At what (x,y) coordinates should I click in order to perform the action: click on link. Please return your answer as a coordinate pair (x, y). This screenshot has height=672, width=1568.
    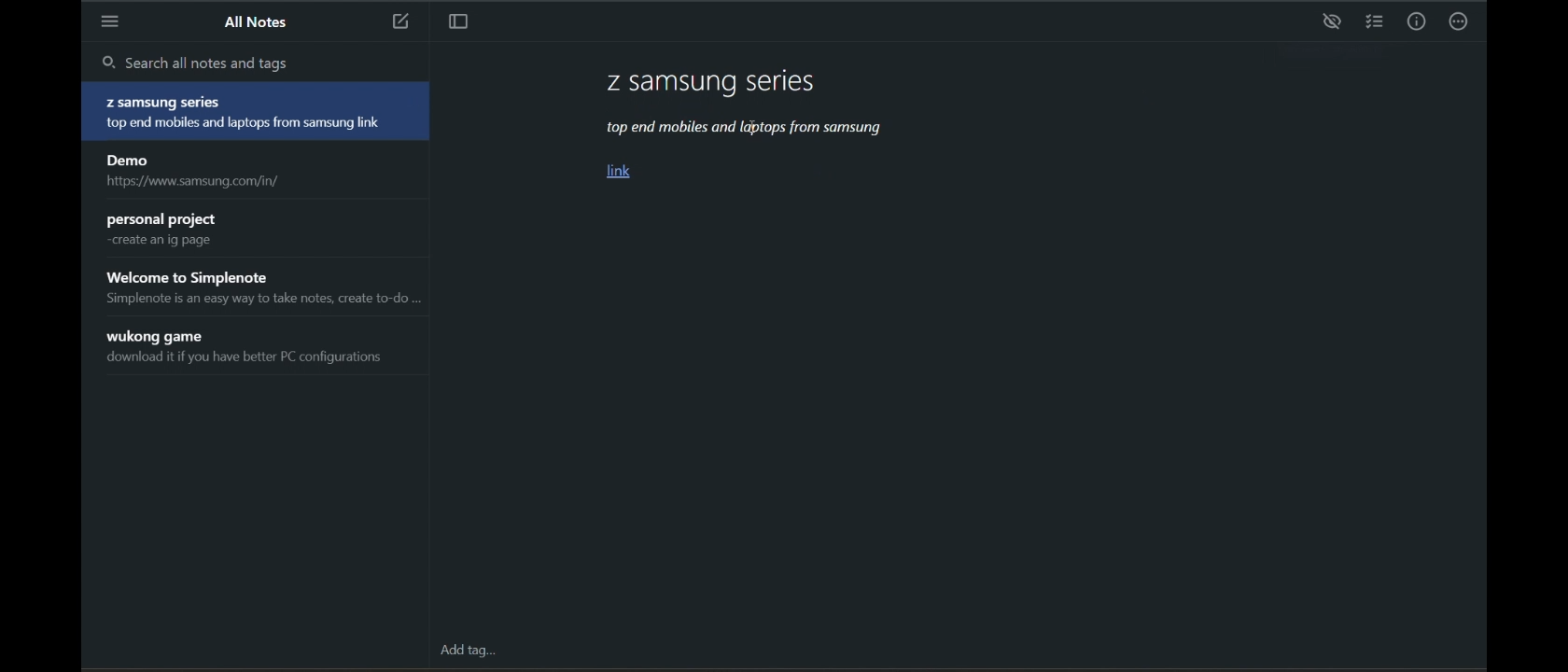
    Looking at the image, I should click on (622, 177).